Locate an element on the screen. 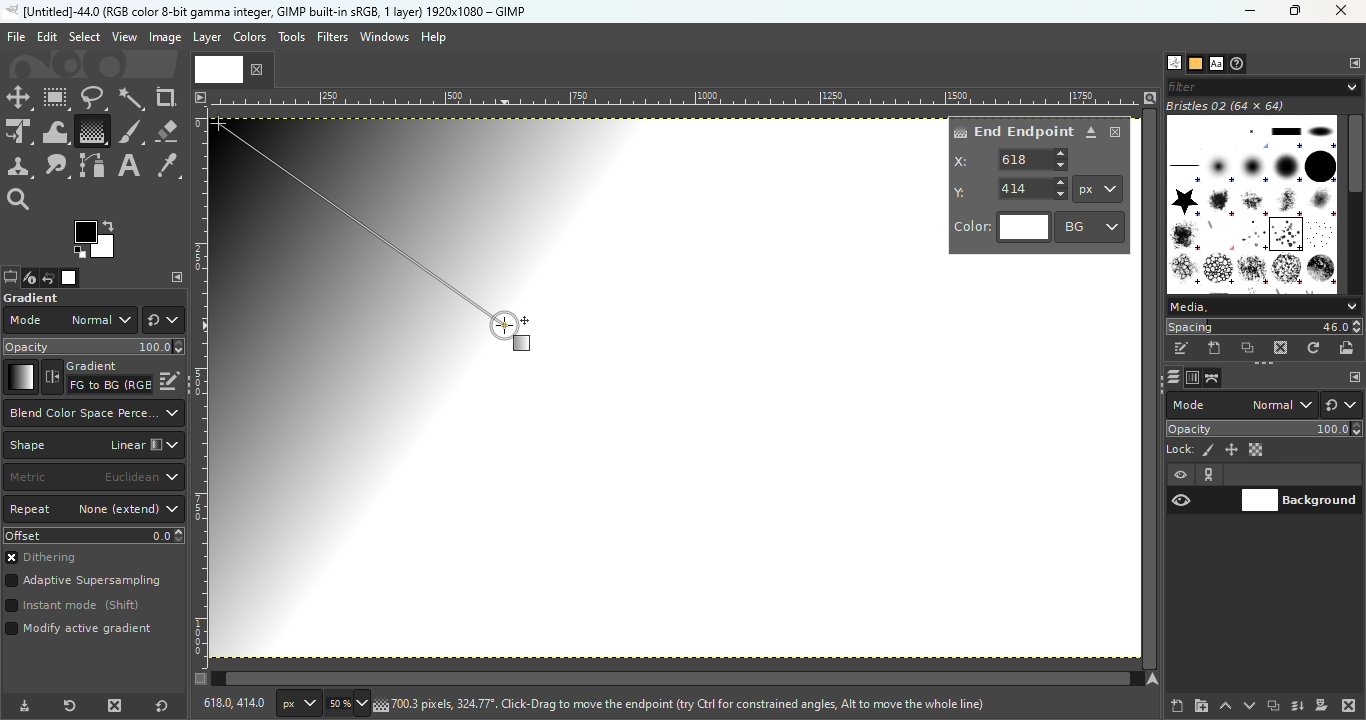  Rectangle select tool is located at coordinates (57, 99).